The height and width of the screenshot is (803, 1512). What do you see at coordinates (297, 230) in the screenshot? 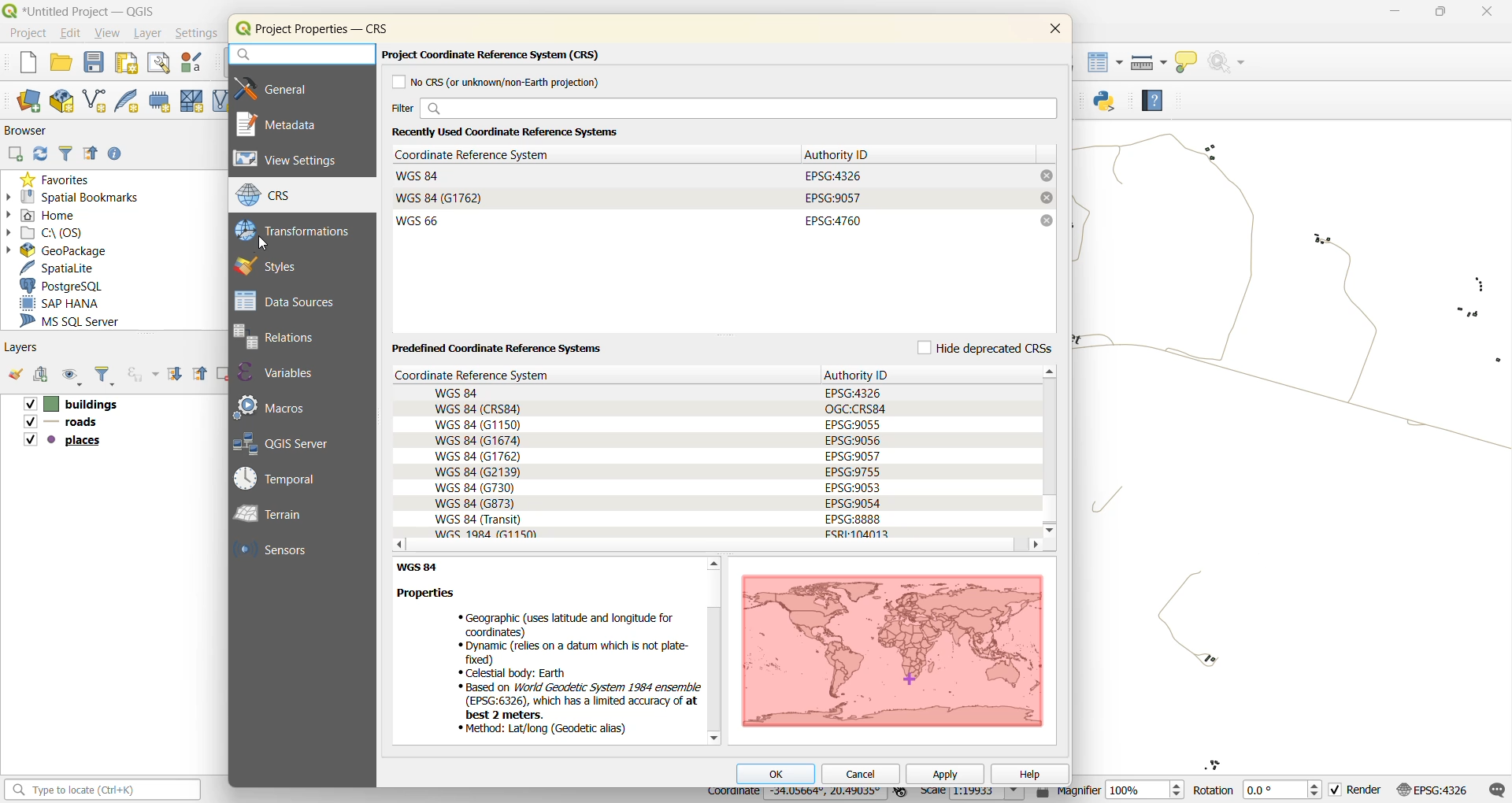
I see `transformations` at bounding box center [297, 230].